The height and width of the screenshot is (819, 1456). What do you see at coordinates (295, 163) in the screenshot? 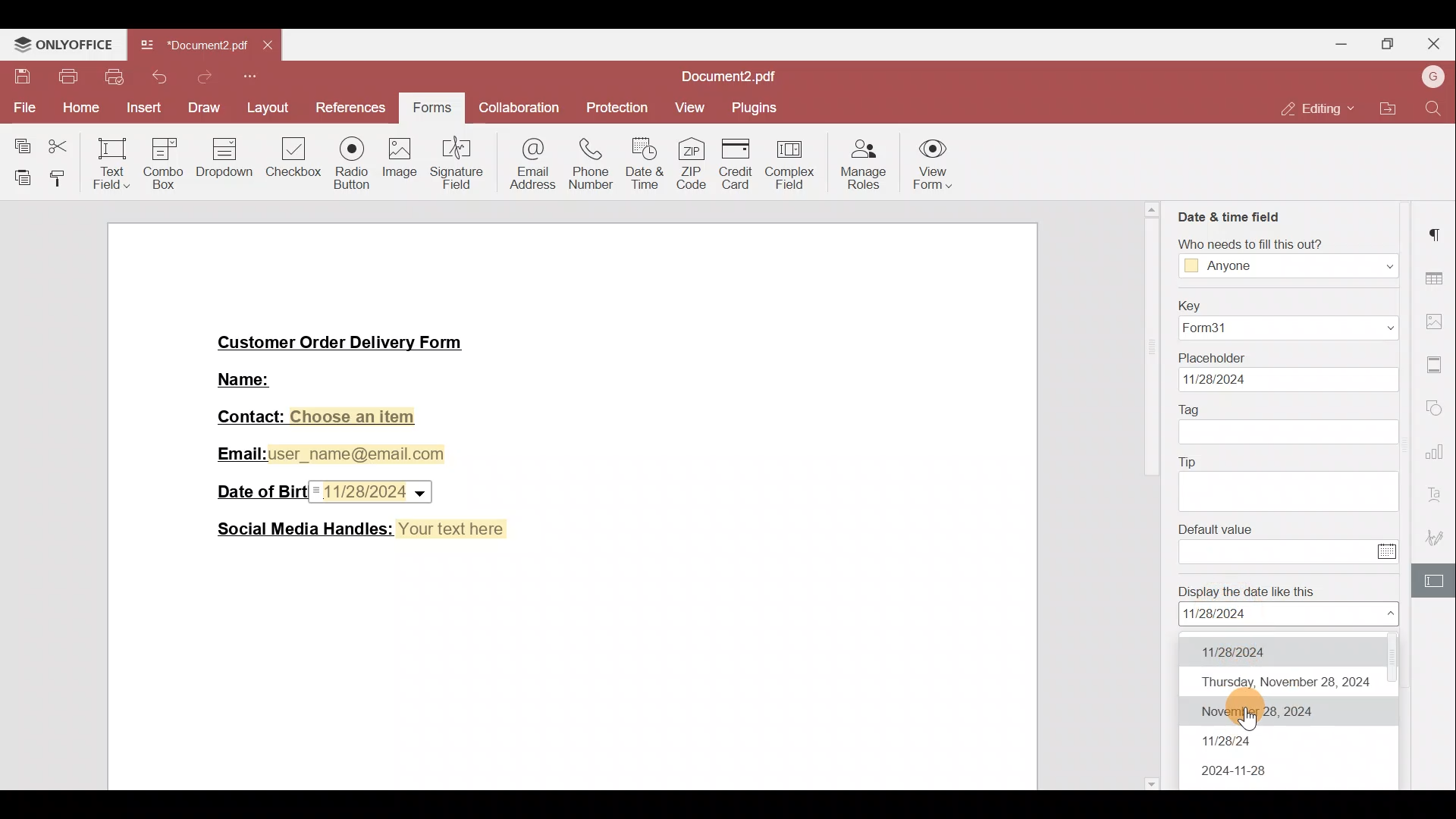
I see `Checkbox` at bounding box center [295, 163].